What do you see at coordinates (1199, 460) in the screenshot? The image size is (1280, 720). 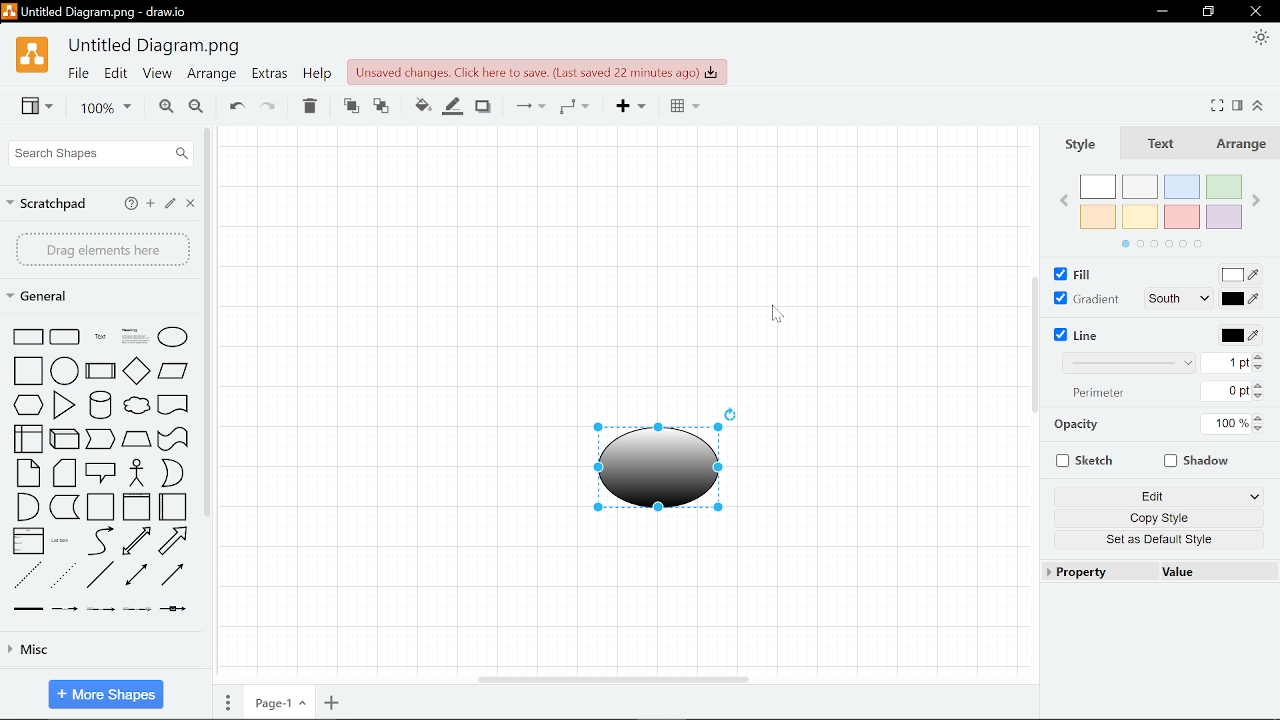 I see `Shadow` at bounding box center [1199, 460].